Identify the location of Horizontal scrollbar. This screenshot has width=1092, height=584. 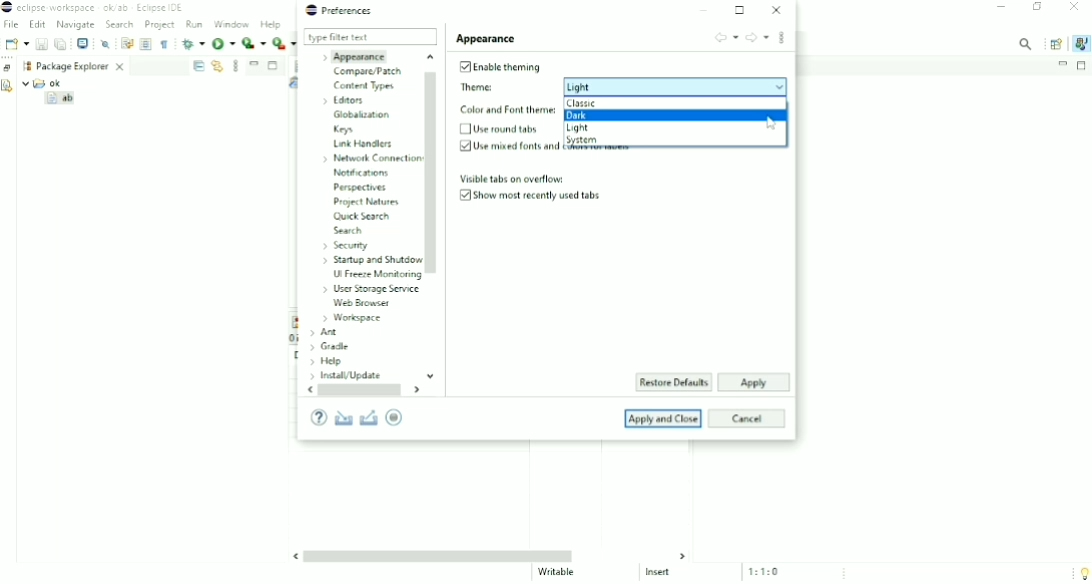
(366, 391).